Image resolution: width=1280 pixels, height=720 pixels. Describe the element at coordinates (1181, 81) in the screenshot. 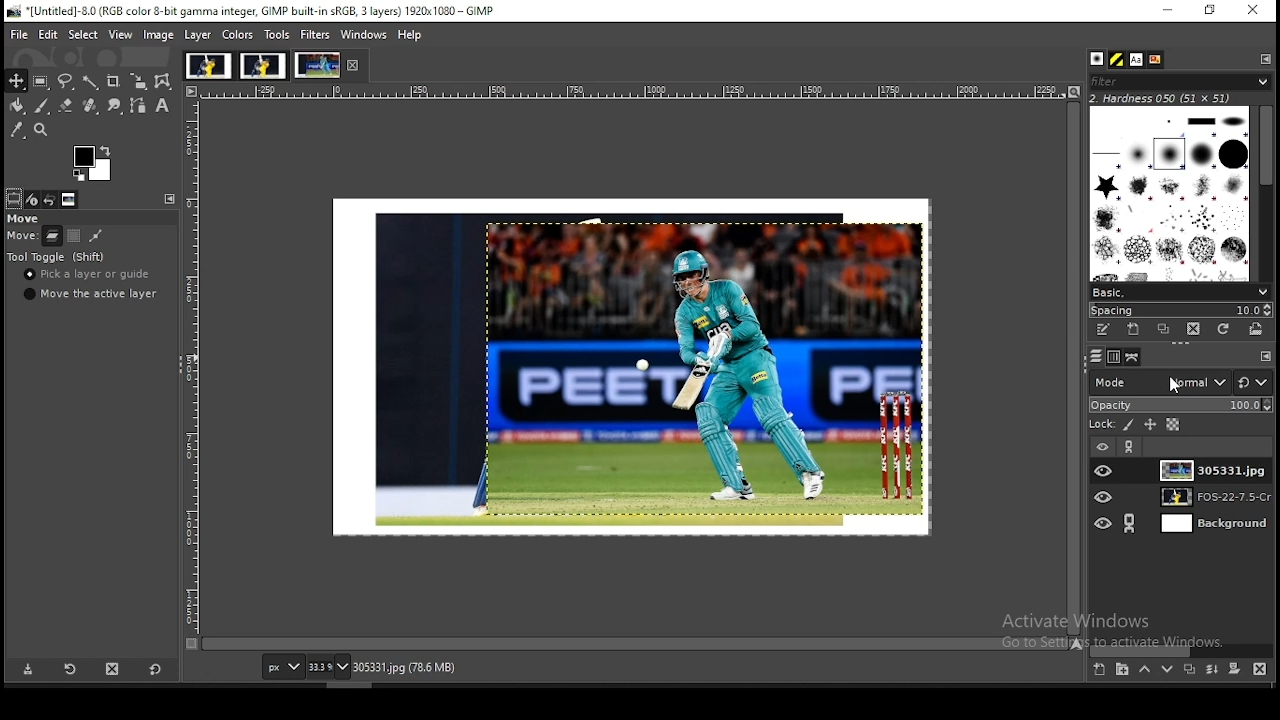

I see `filter` at that location.